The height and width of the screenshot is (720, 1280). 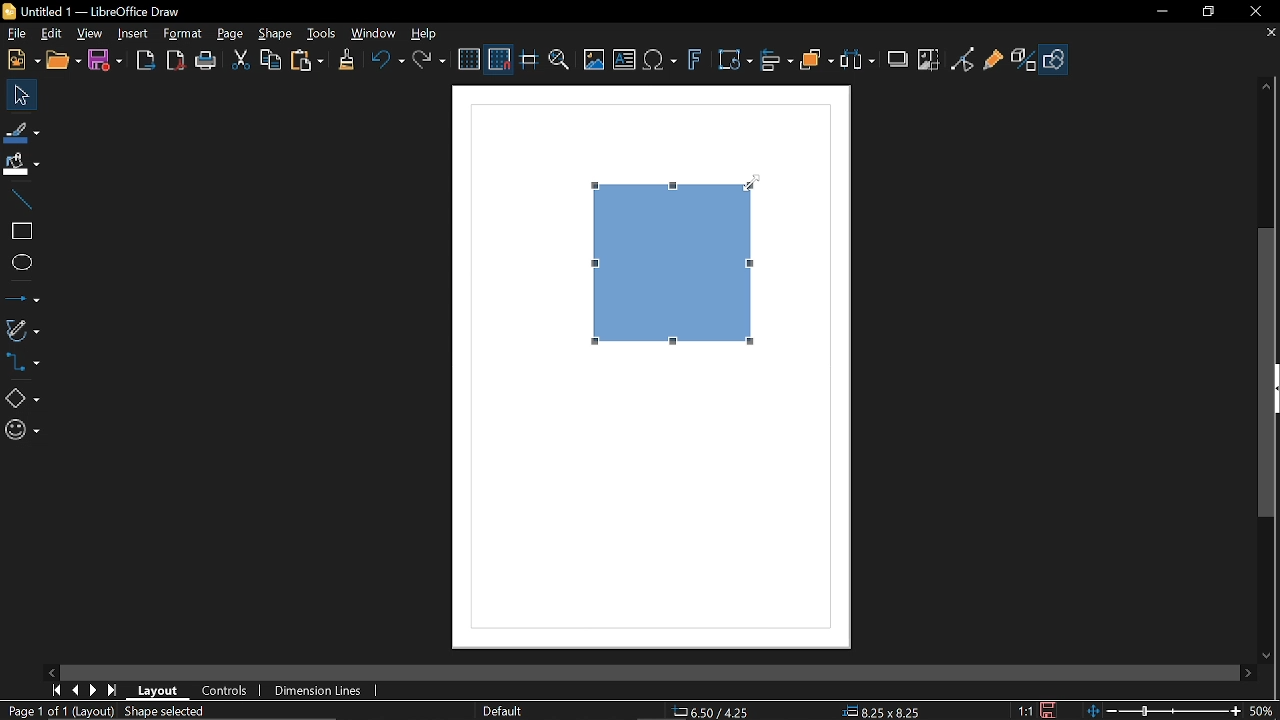 I want to click on Rectangle, so click(x=20, y=230).